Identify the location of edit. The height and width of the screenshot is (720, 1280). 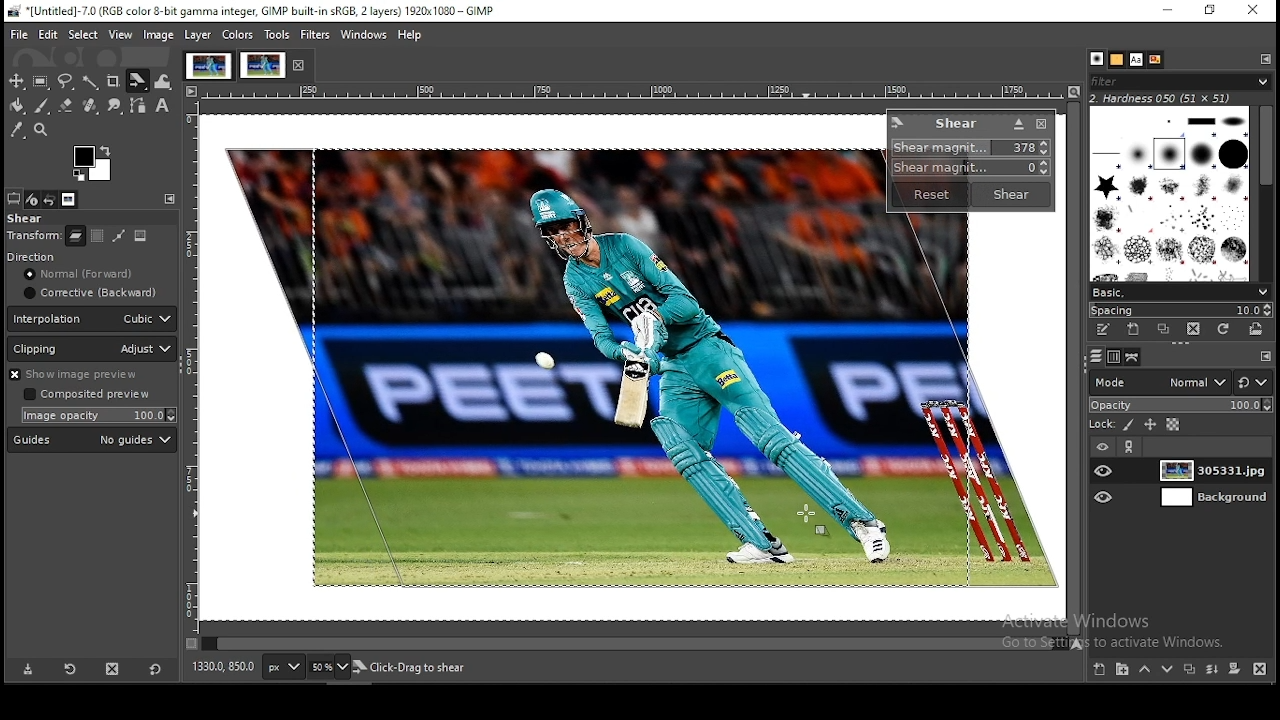
(49, 34).